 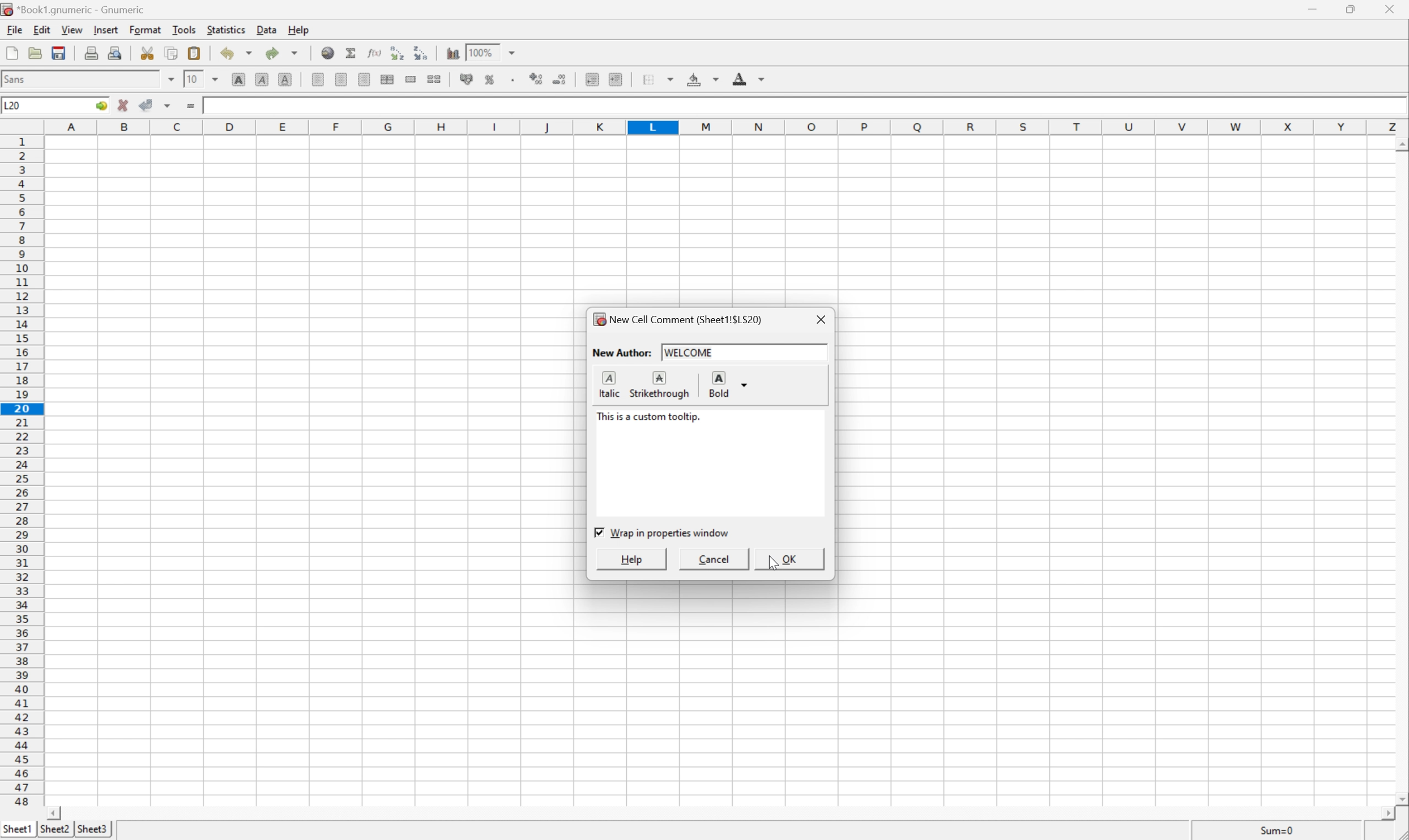 I want to click on Drop Down, so click(x=513, y=52).